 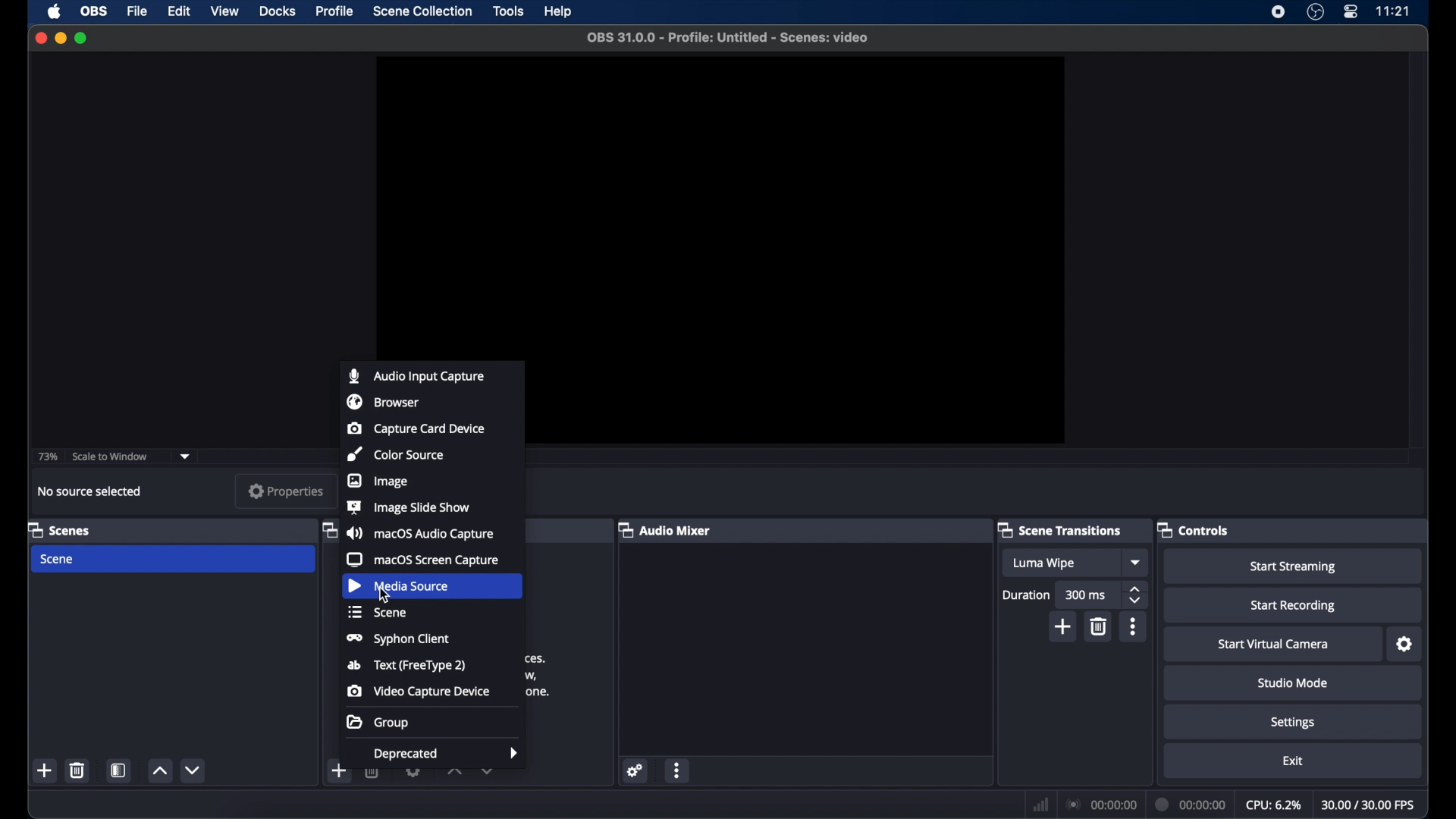 What do you see at coordinates (378, 481) in the screenshot?
I see `image` at bounding box center [378, 481].